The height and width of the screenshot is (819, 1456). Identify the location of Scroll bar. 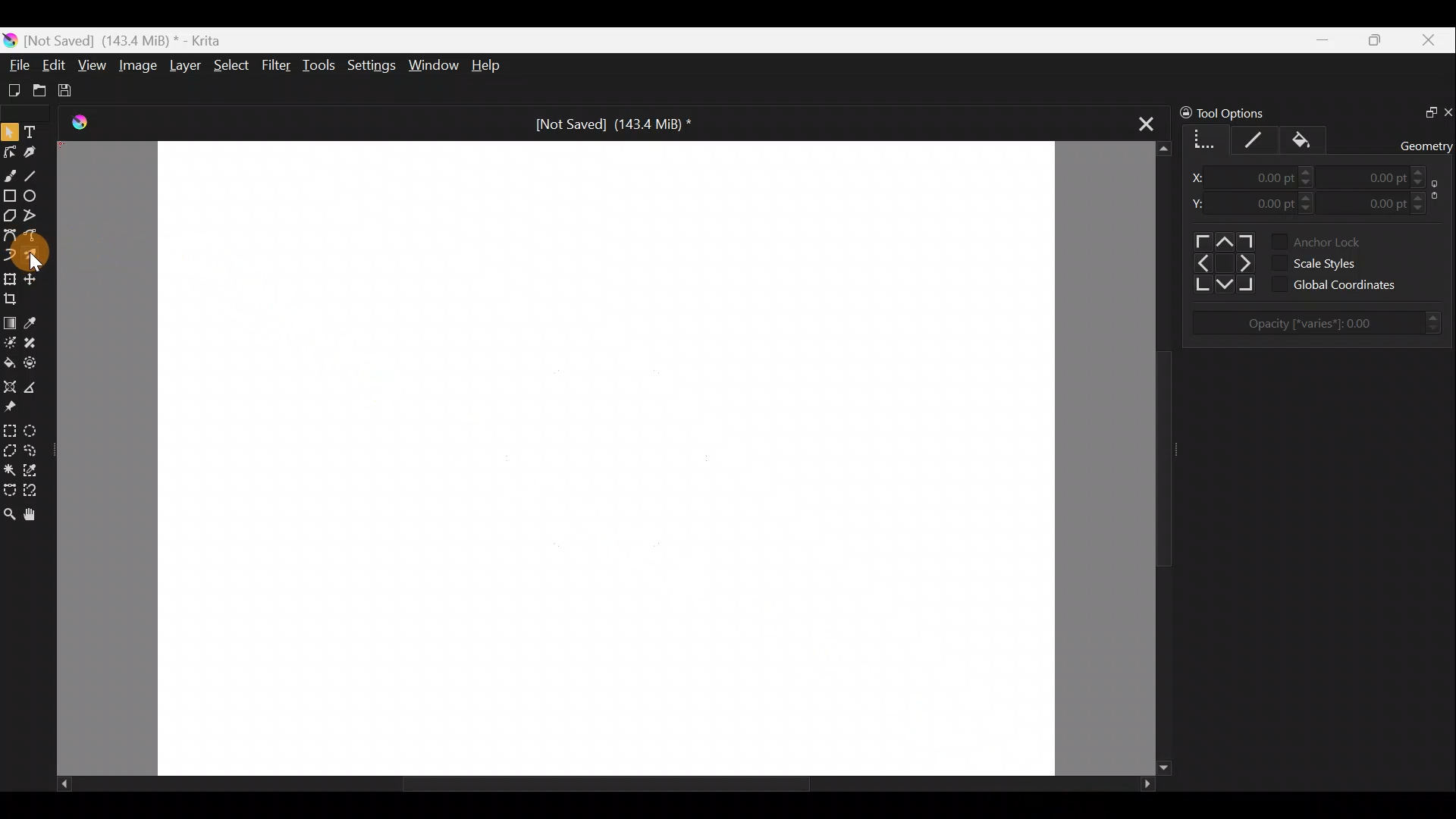
(1150, 459).